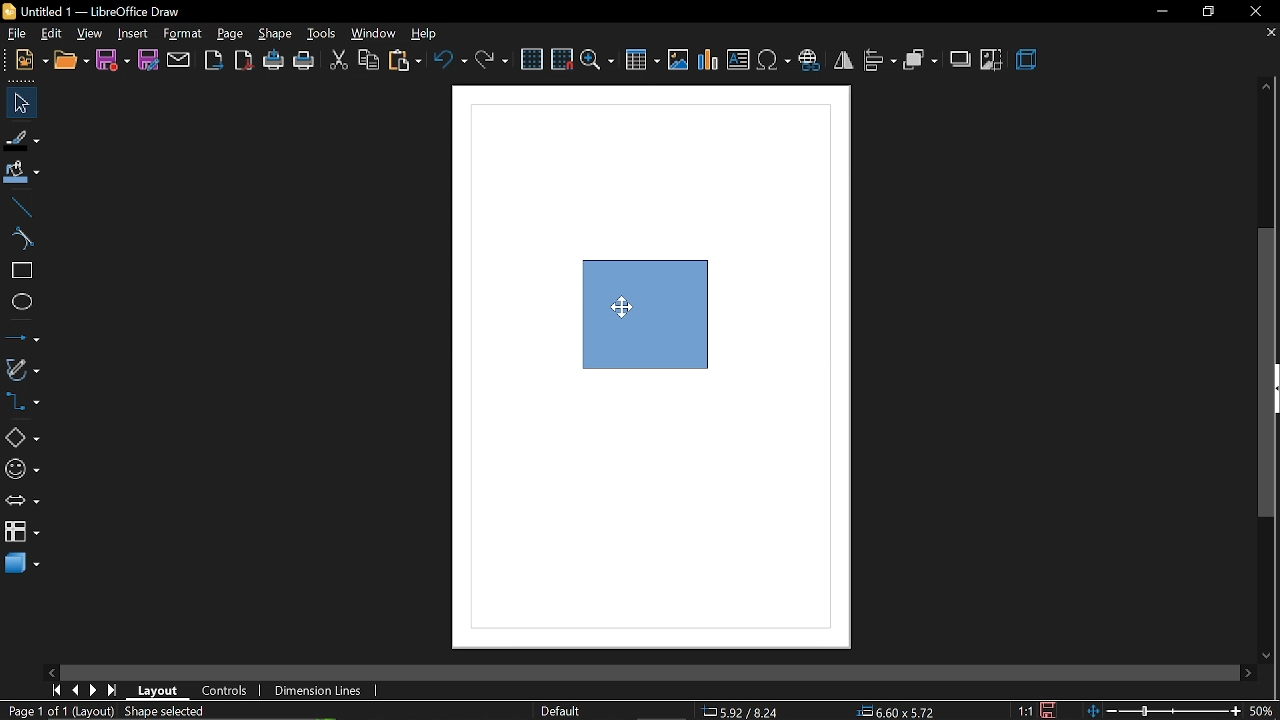 This screenshot has width=1280, height=720. What do you see at coordinates (810, 62) in the screenshot?
I see `Insert hyperlink` at bounding box center [810, 62].